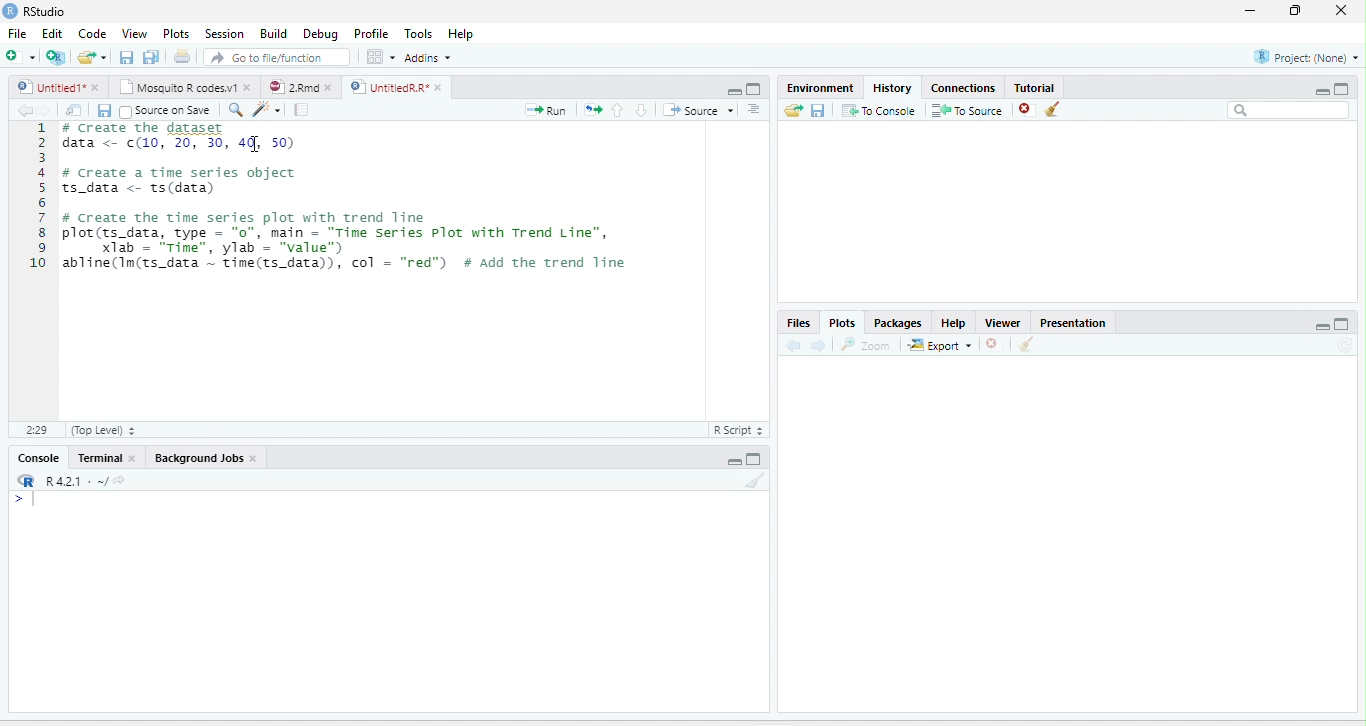 The width and height of the screenshot is (1366, 726). Describe the element at coordinates (18, 33) in the screenshot. I see `File` at that location.